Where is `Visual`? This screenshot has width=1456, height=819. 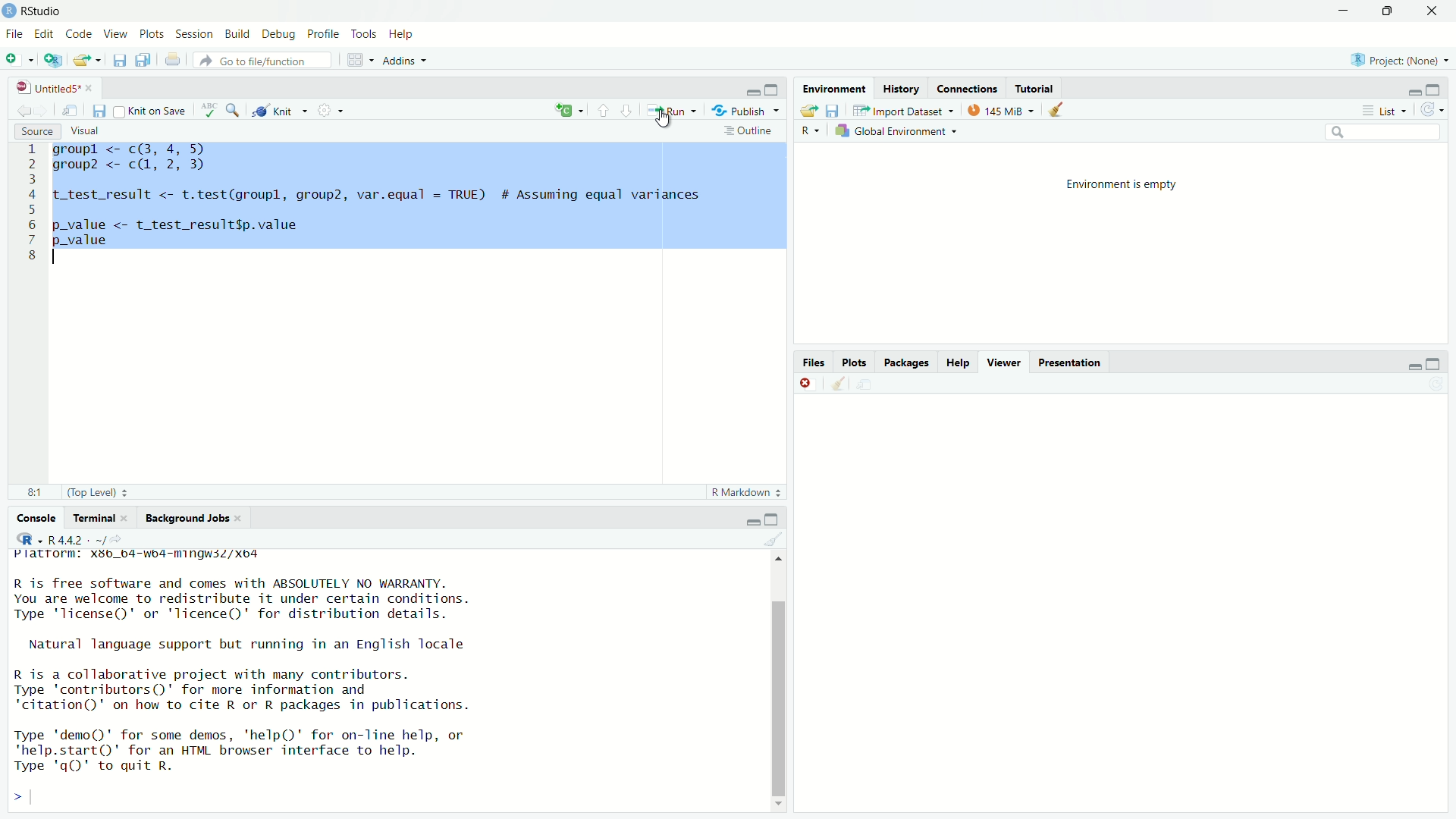 Visual is located at coordinates (89, 131).